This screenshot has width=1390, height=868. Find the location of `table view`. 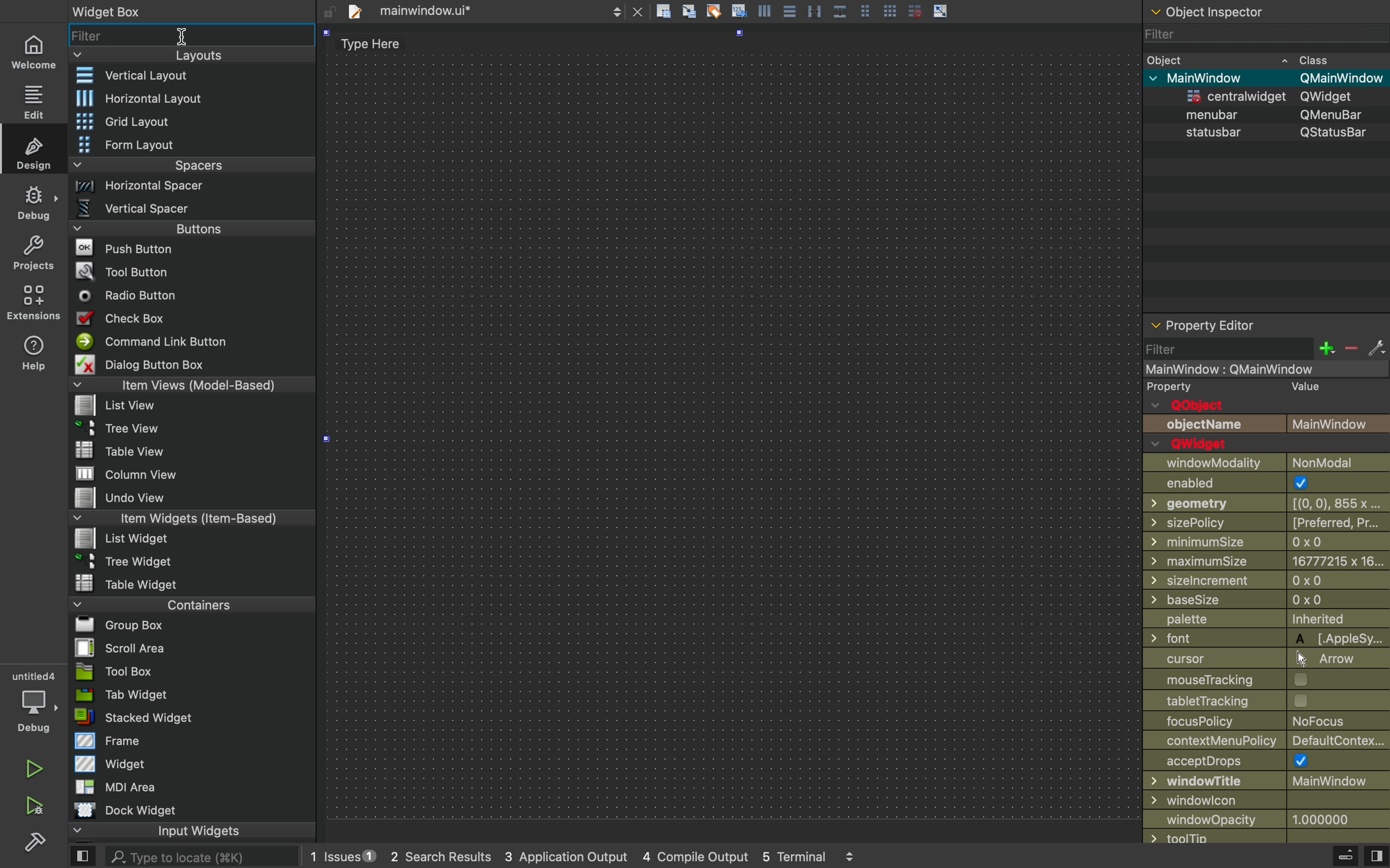

table view is located at coordinates (192, 450).